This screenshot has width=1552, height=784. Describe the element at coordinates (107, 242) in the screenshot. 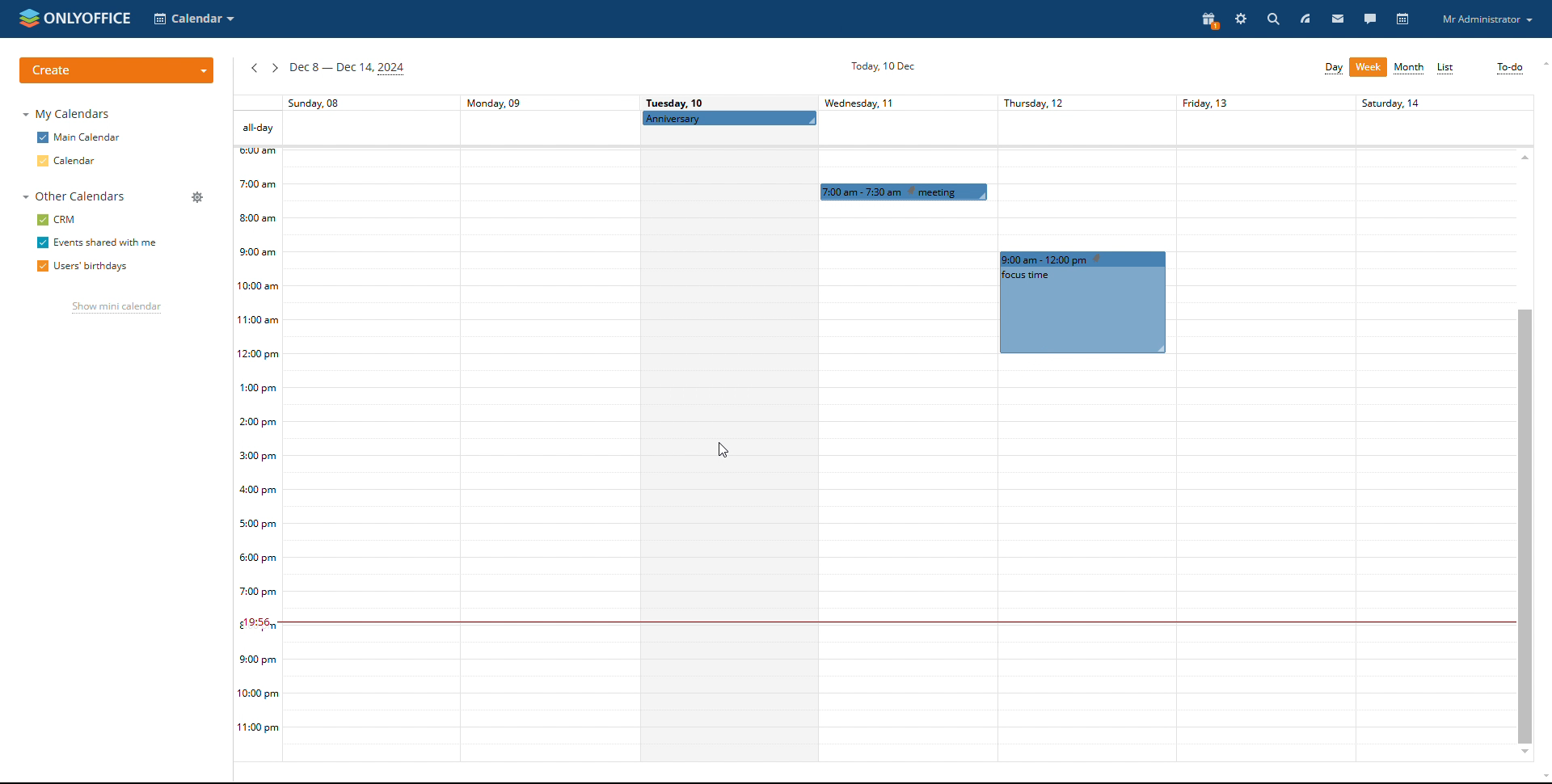

I see `events shared with me` at that location.